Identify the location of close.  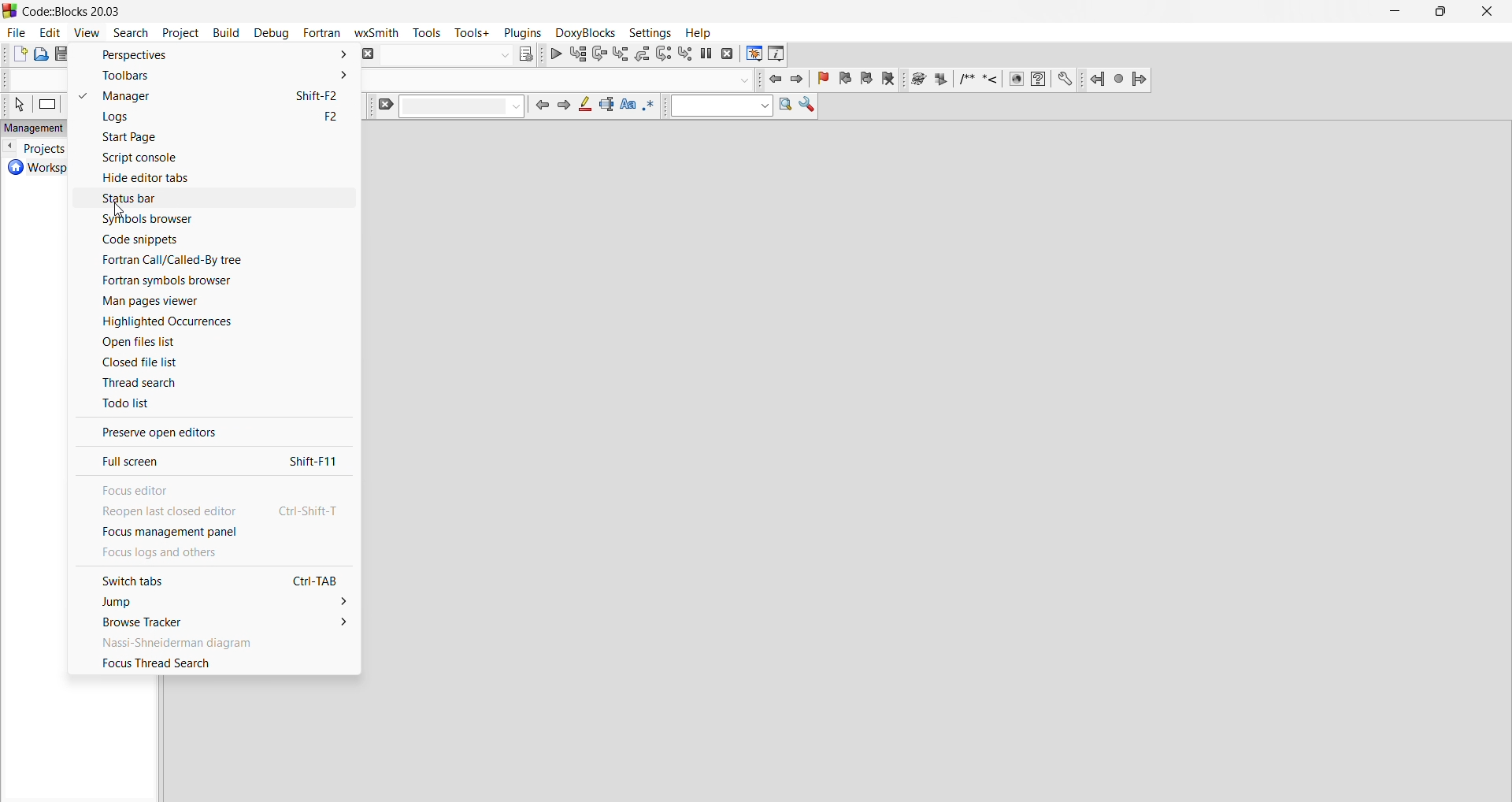
(1490, 11).